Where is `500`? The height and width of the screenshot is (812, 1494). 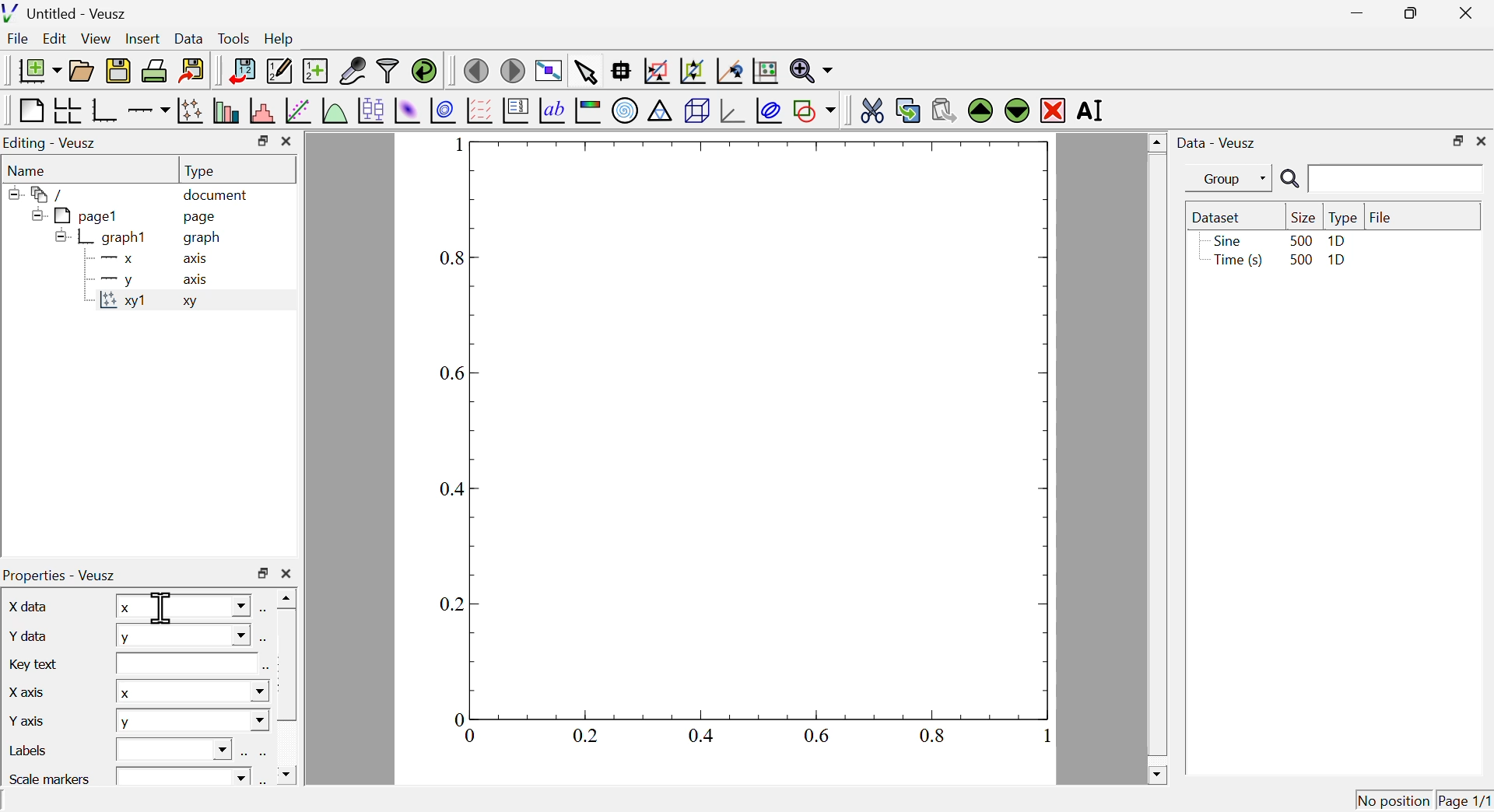 500 is located at coordinates (1299, 261).